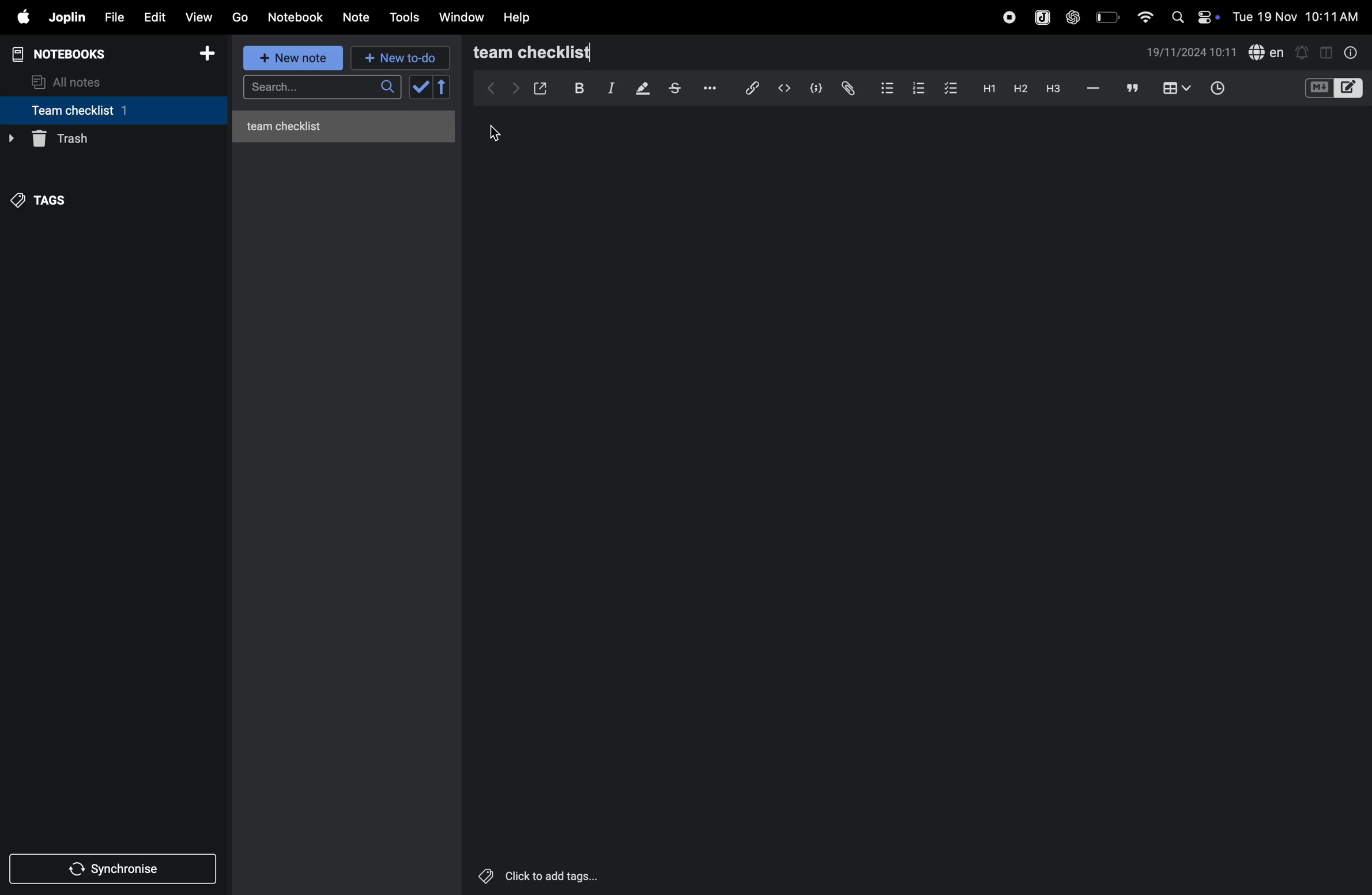  Describe the element at coordinates (295, 59) in the screenshot. I see `new note` at that location.